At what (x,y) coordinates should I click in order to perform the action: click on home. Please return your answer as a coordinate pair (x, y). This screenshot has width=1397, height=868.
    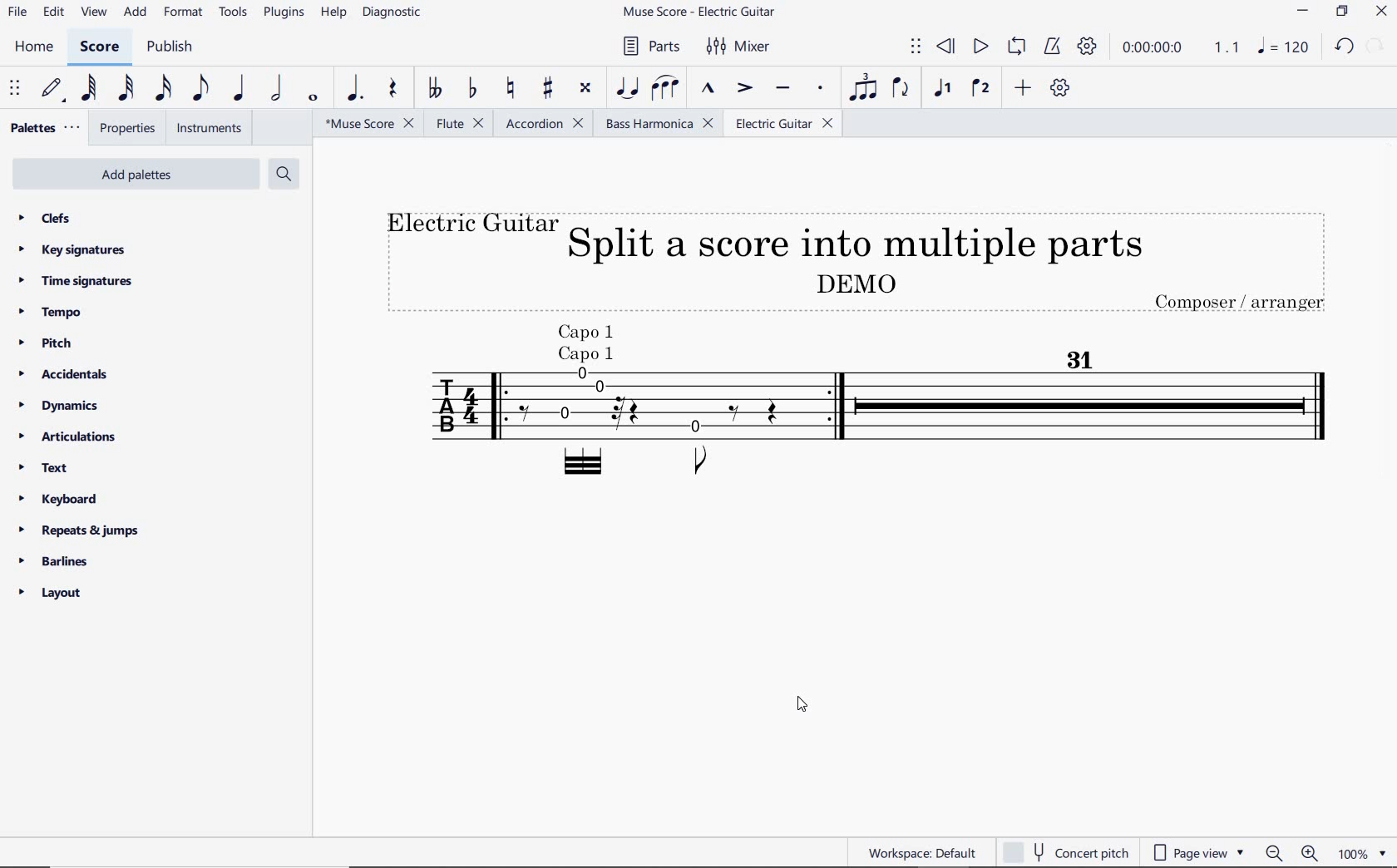
    Looking at the image, I should click on (37, 47).